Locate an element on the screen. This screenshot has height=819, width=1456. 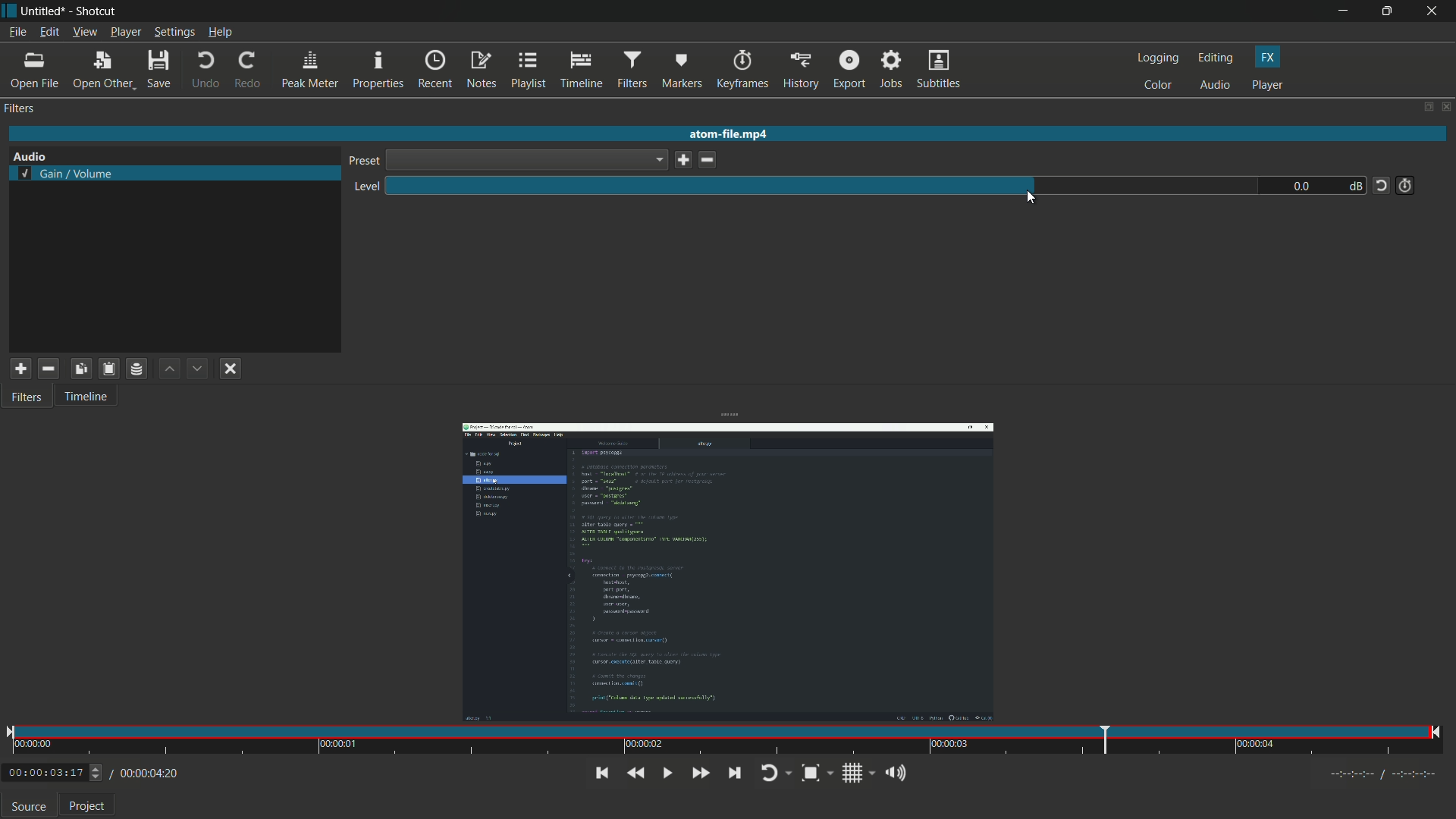
close panel is located at coordinates (1445, 106).